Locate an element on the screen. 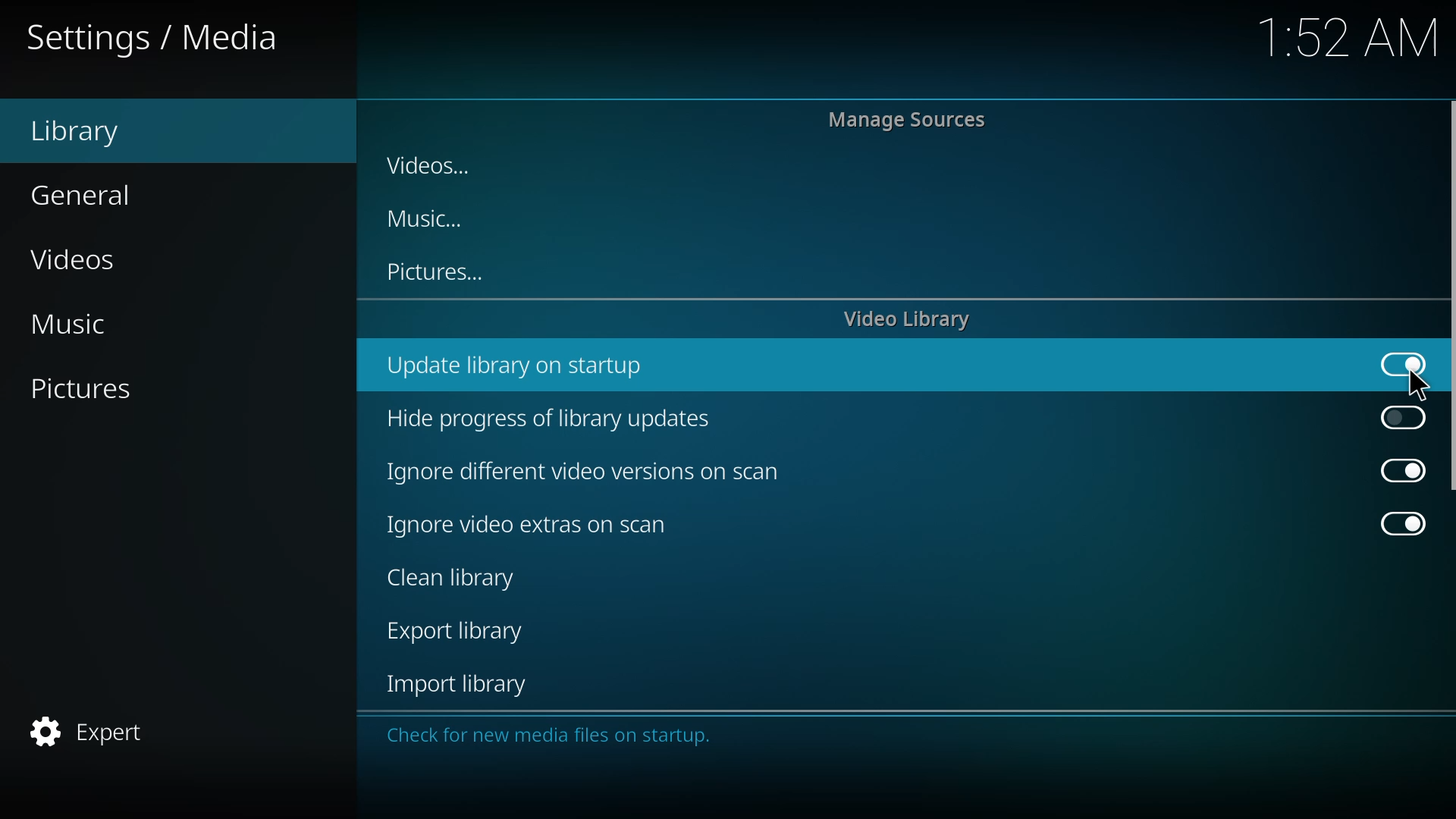 This screenshot has width=1456, height=819. export library is located at coordinates (460, 632).